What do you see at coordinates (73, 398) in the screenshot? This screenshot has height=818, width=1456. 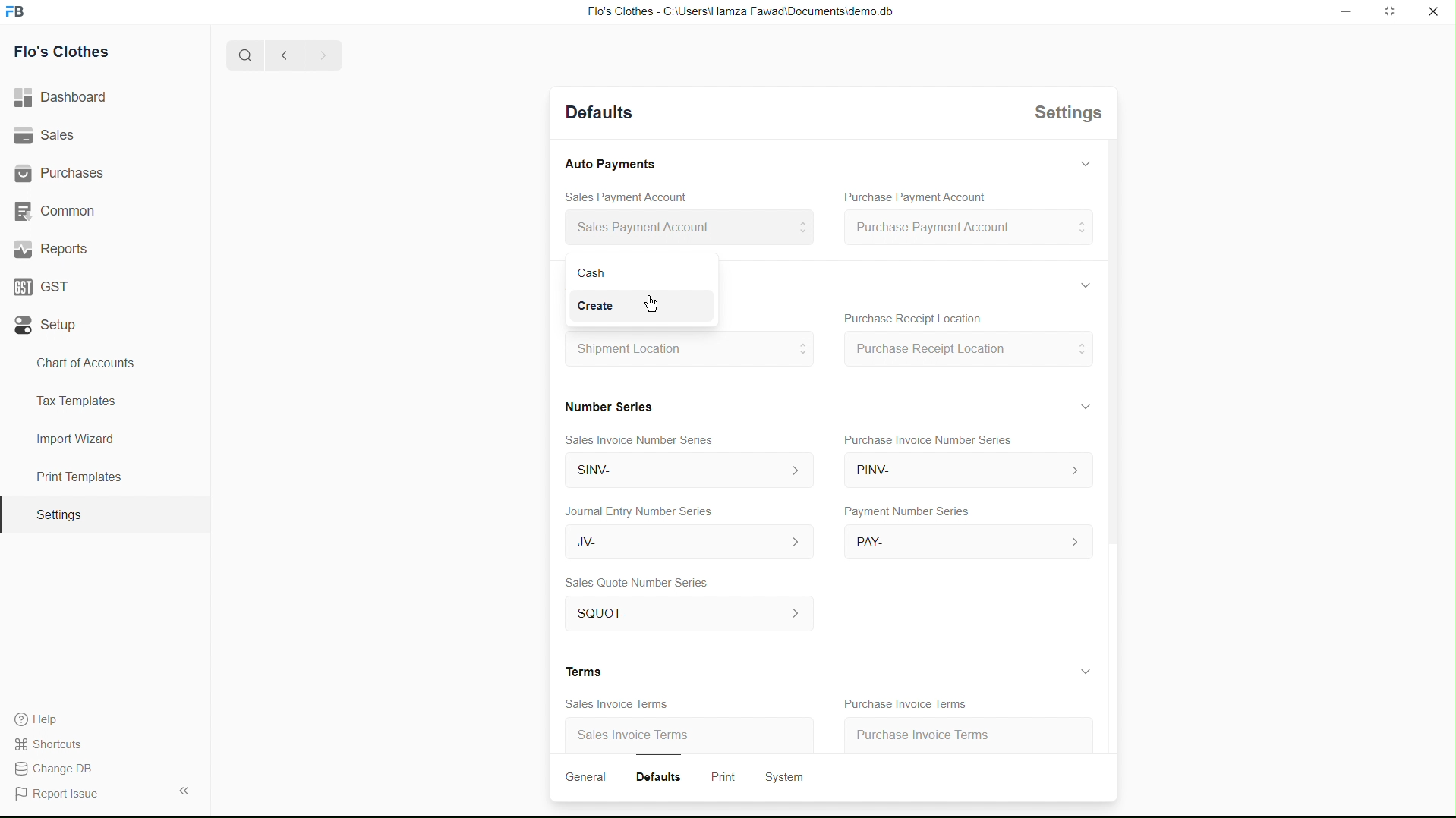 I see `Tax Templates` at bounding box center [73, 398].